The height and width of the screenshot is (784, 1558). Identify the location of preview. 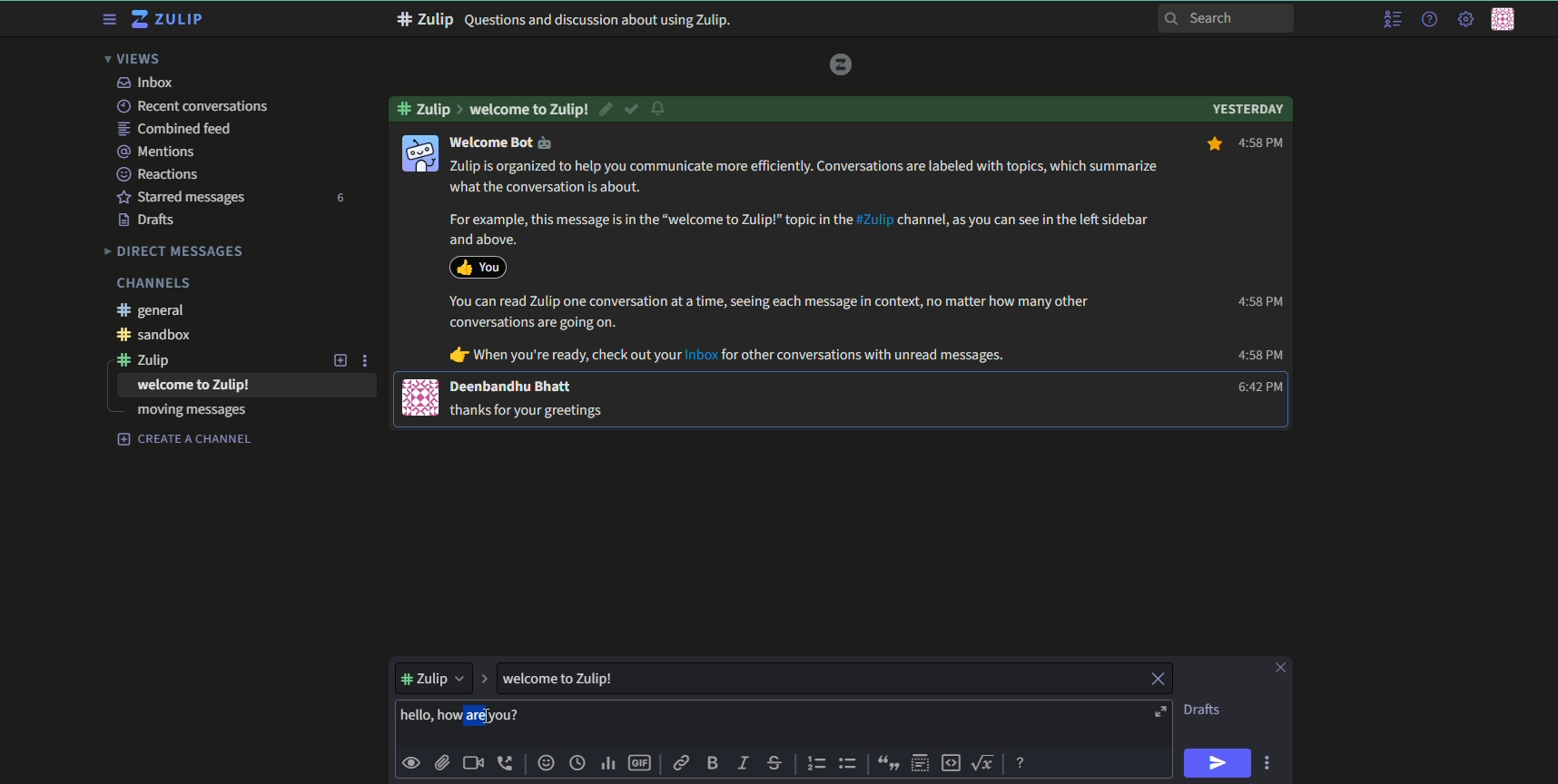
(412, 761).